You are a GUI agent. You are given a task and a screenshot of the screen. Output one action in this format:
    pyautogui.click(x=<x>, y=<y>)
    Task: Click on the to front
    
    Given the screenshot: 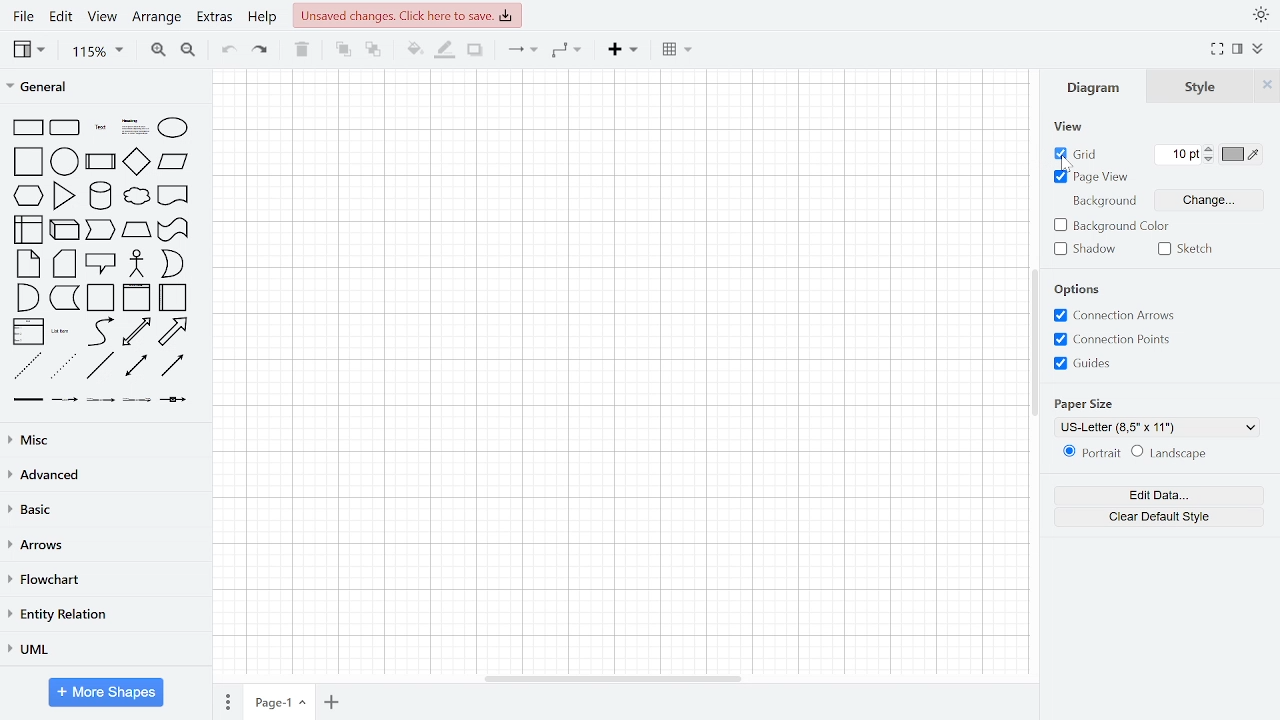 What is the action you would take?
    pyautogui.click(x=343, y=50)
    